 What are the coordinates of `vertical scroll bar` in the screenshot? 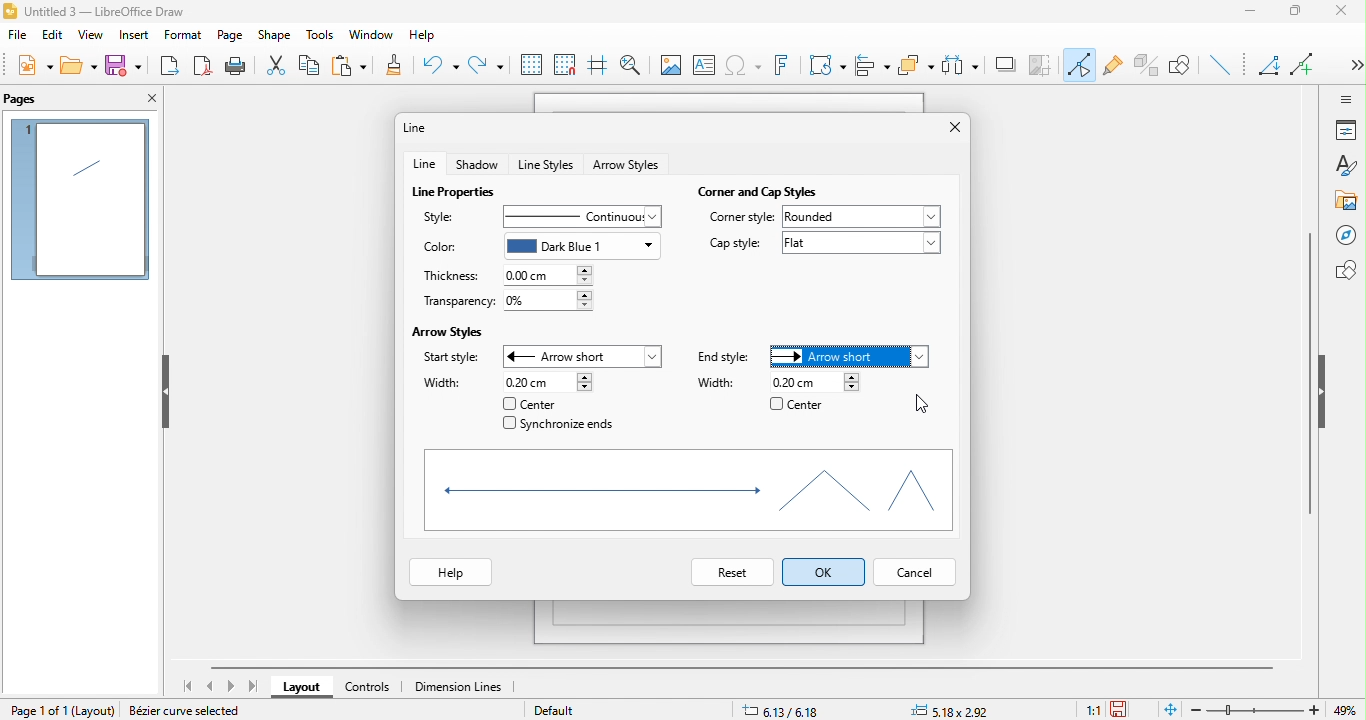 It's located at (1309, 372).